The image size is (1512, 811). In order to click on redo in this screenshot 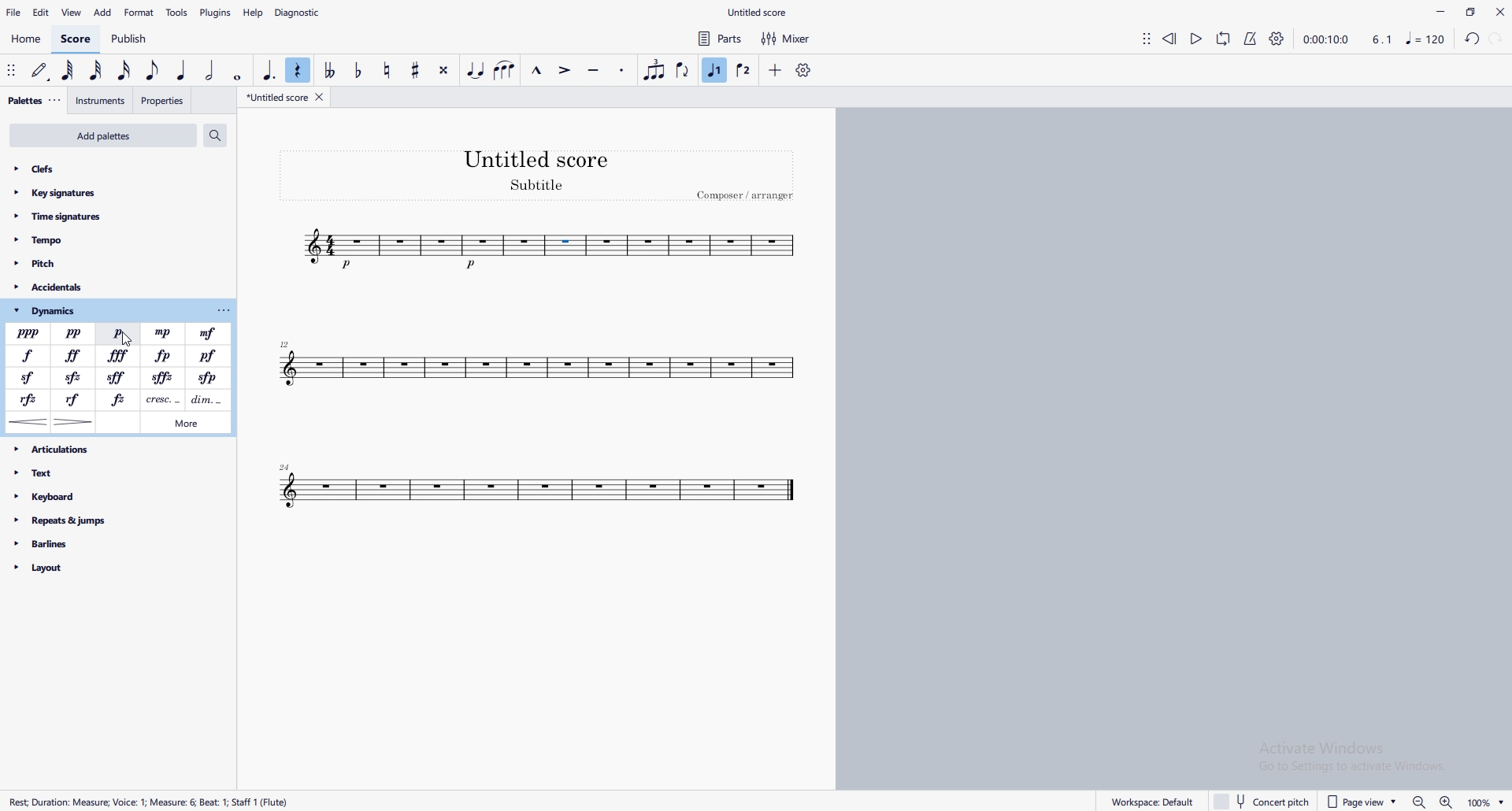, I will do `click(1495, 38)`.